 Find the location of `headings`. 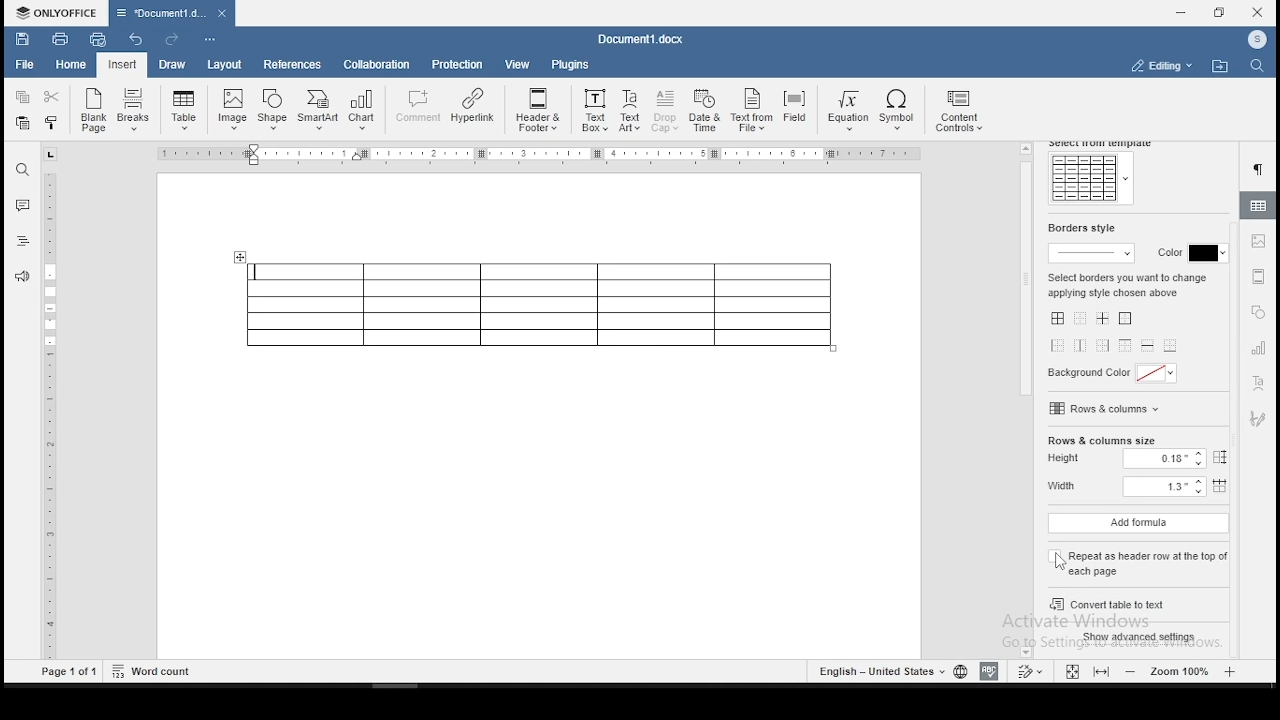

headings is located at coordinates (23, 241).